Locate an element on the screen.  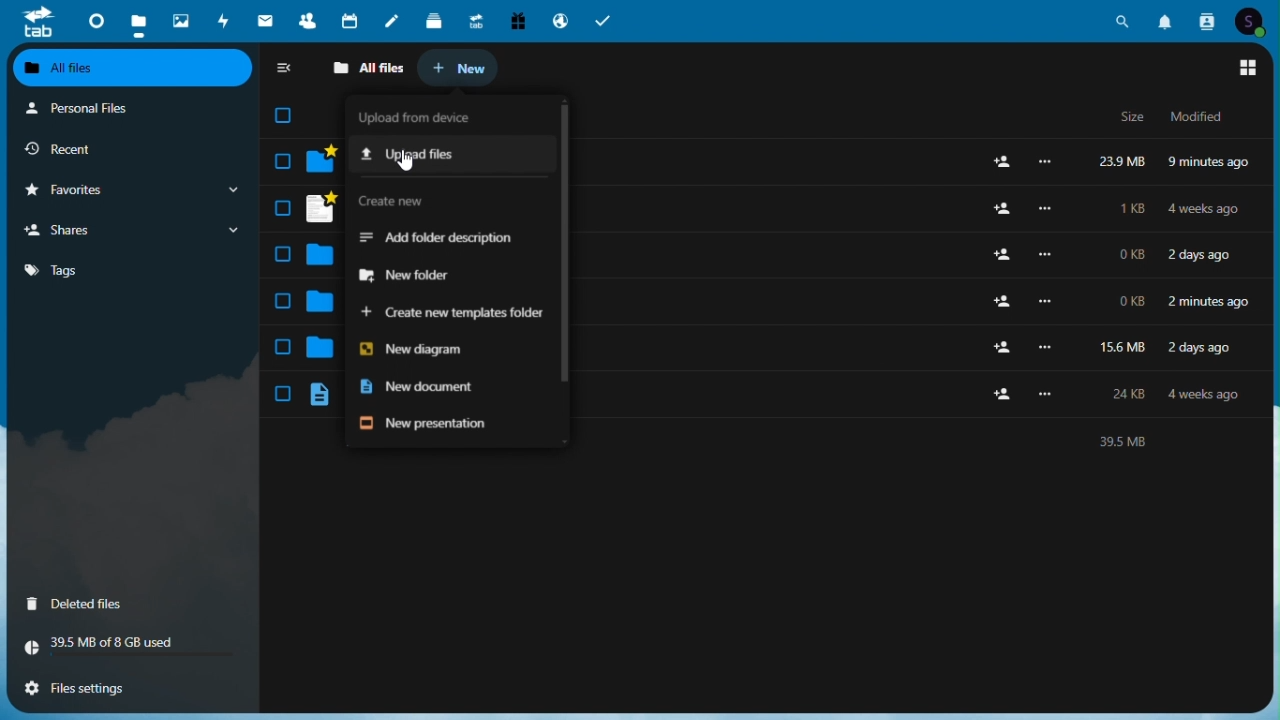
upgrade is located at coordinates (474, 19).